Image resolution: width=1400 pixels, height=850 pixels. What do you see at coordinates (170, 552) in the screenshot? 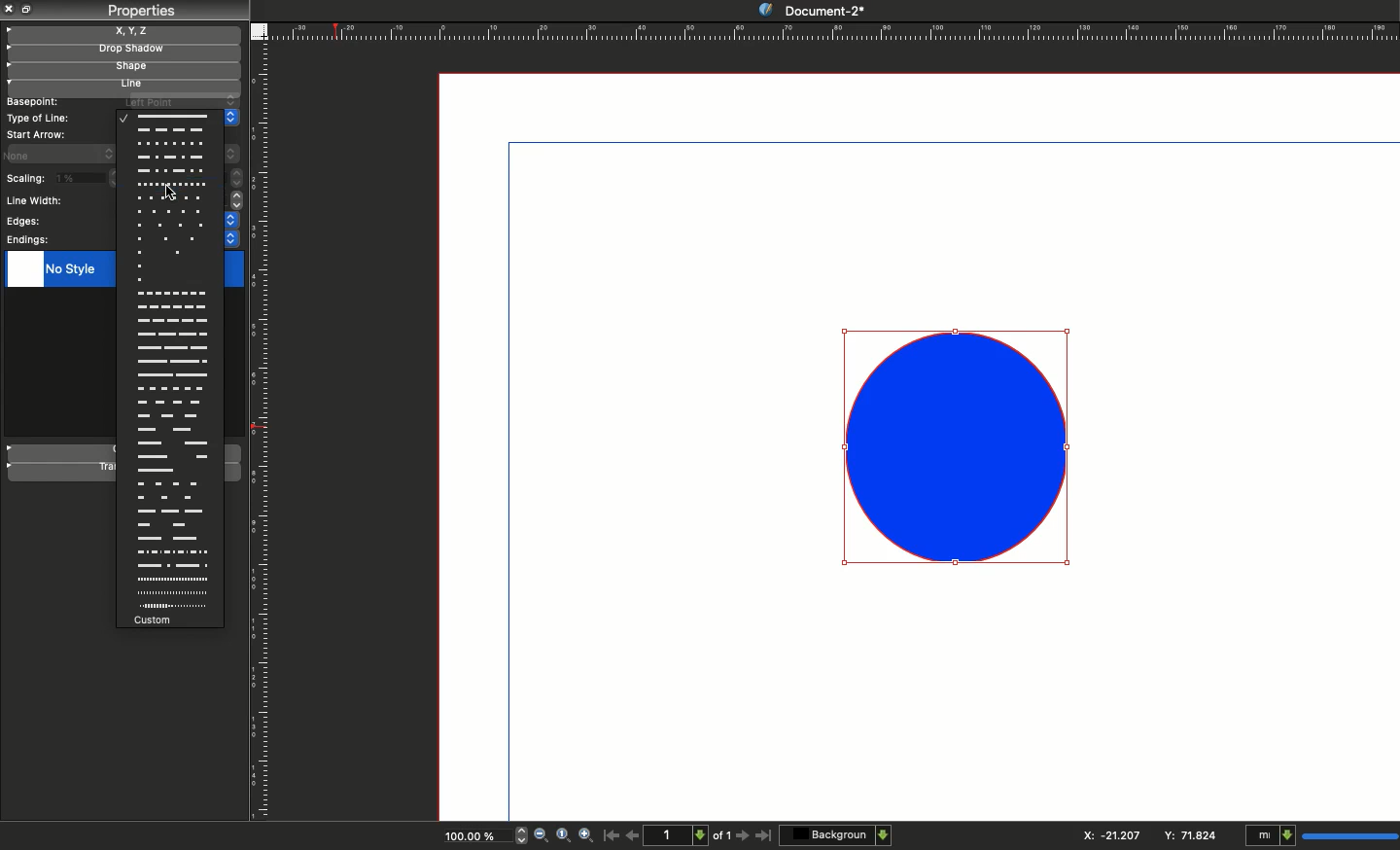
I see `line option` at bounding box center [170, 552].